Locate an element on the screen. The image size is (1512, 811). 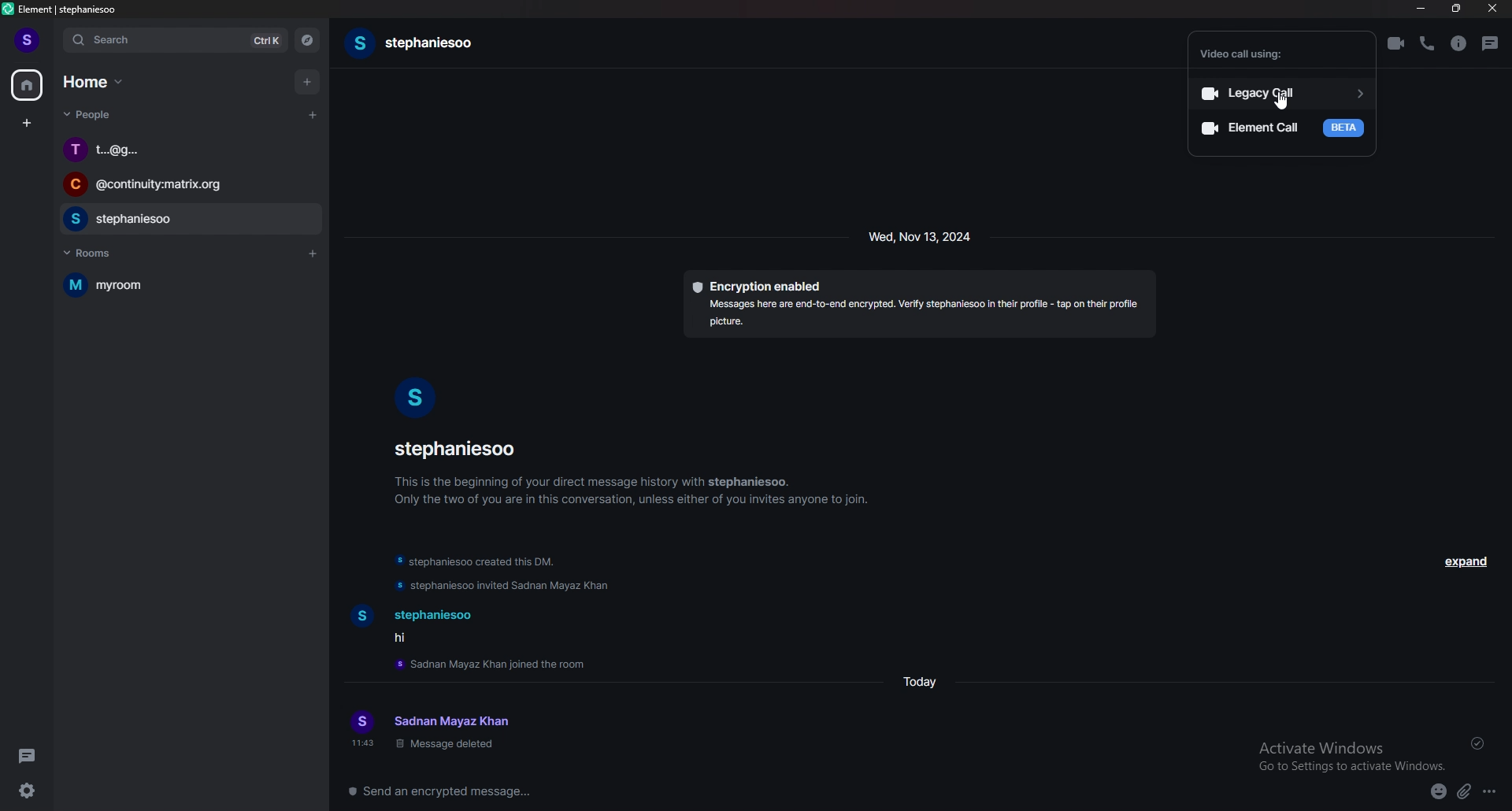
cursor is located at coordinates (1283, 106).